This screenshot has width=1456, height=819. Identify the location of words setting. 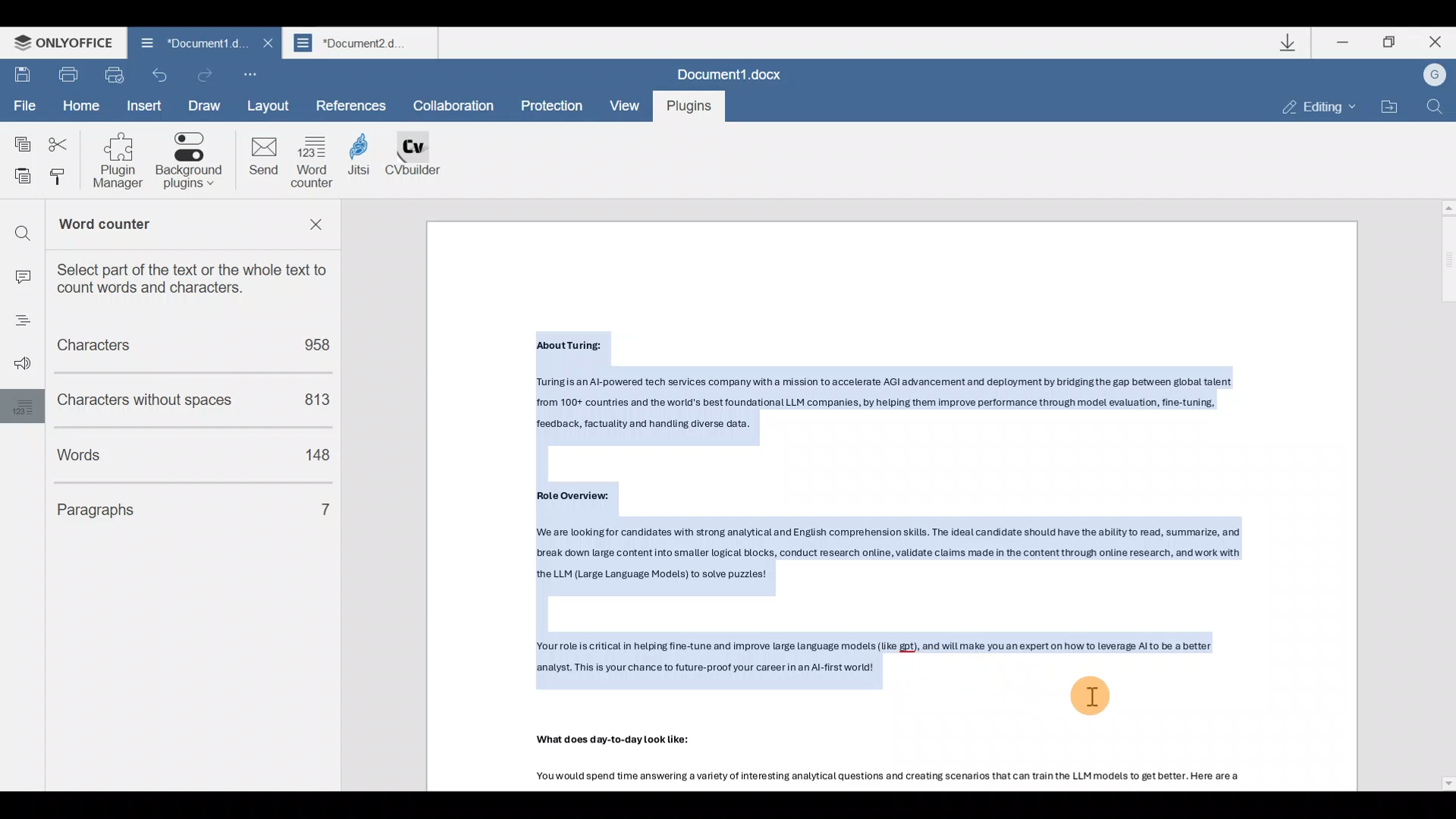
(19, 406).